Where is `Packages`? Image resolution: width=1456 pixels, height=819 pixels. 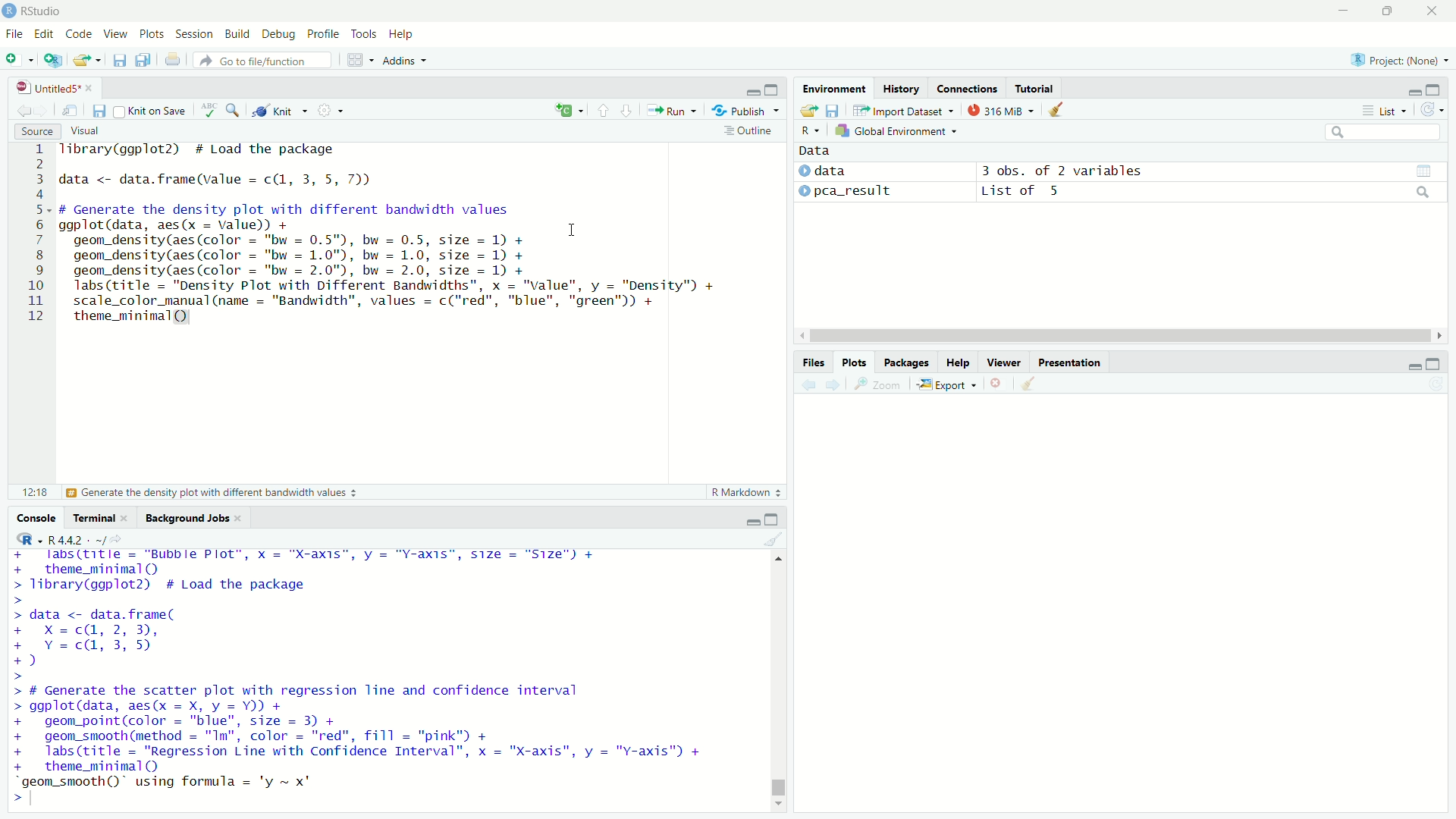 Packages is located at coordinates (905, 362).